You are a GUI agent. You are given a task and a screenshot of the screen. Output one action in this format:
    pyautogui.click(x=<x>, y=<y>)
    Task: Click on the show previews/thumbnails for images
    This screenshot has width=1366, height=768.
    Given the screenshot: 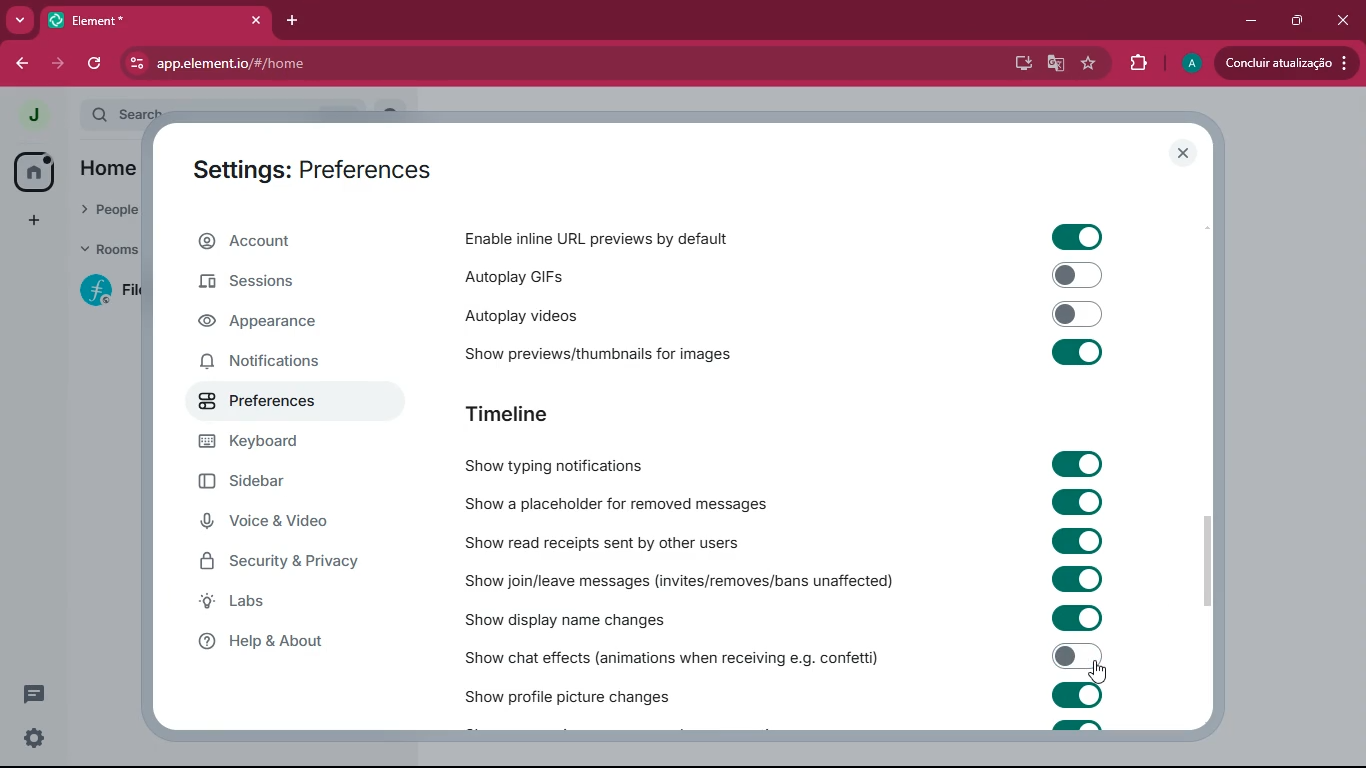 What is the action you would take?
    pyautogui.click(x=616, y=350)
    